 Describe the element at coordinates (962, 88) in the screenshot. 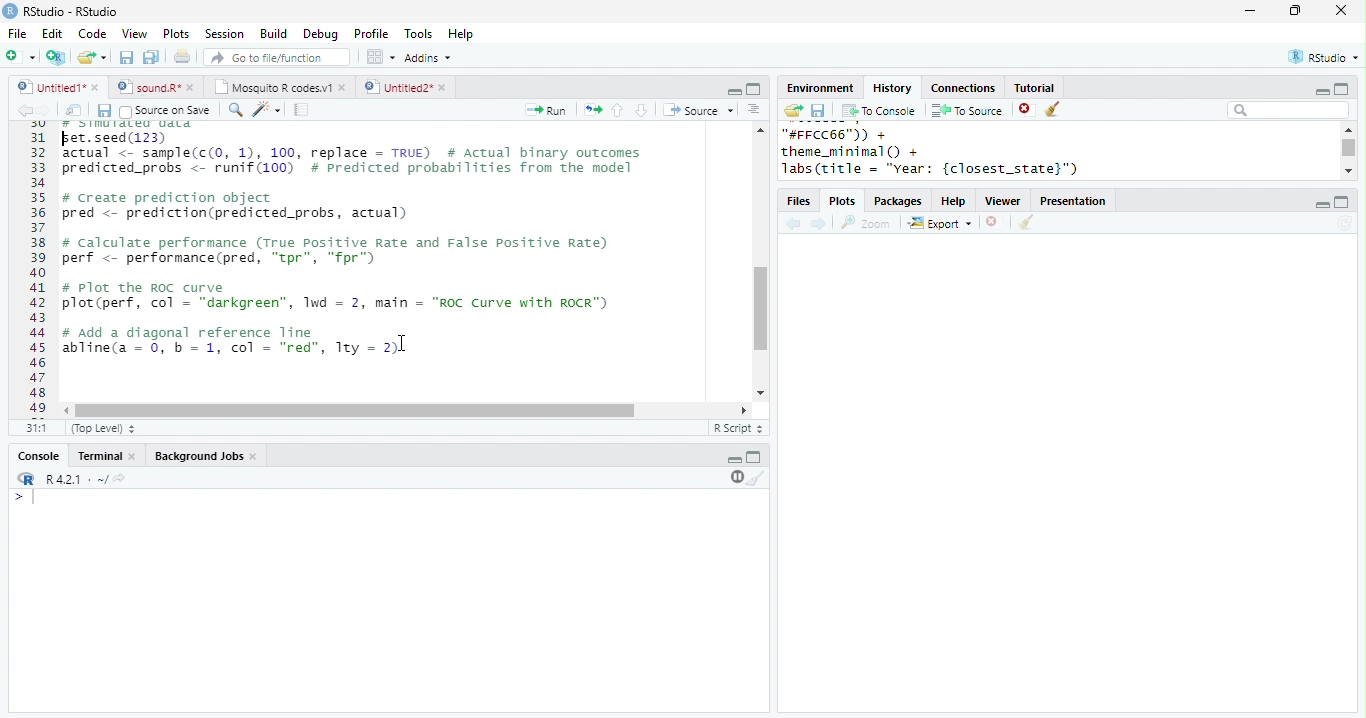

I see `Connections` at that location.